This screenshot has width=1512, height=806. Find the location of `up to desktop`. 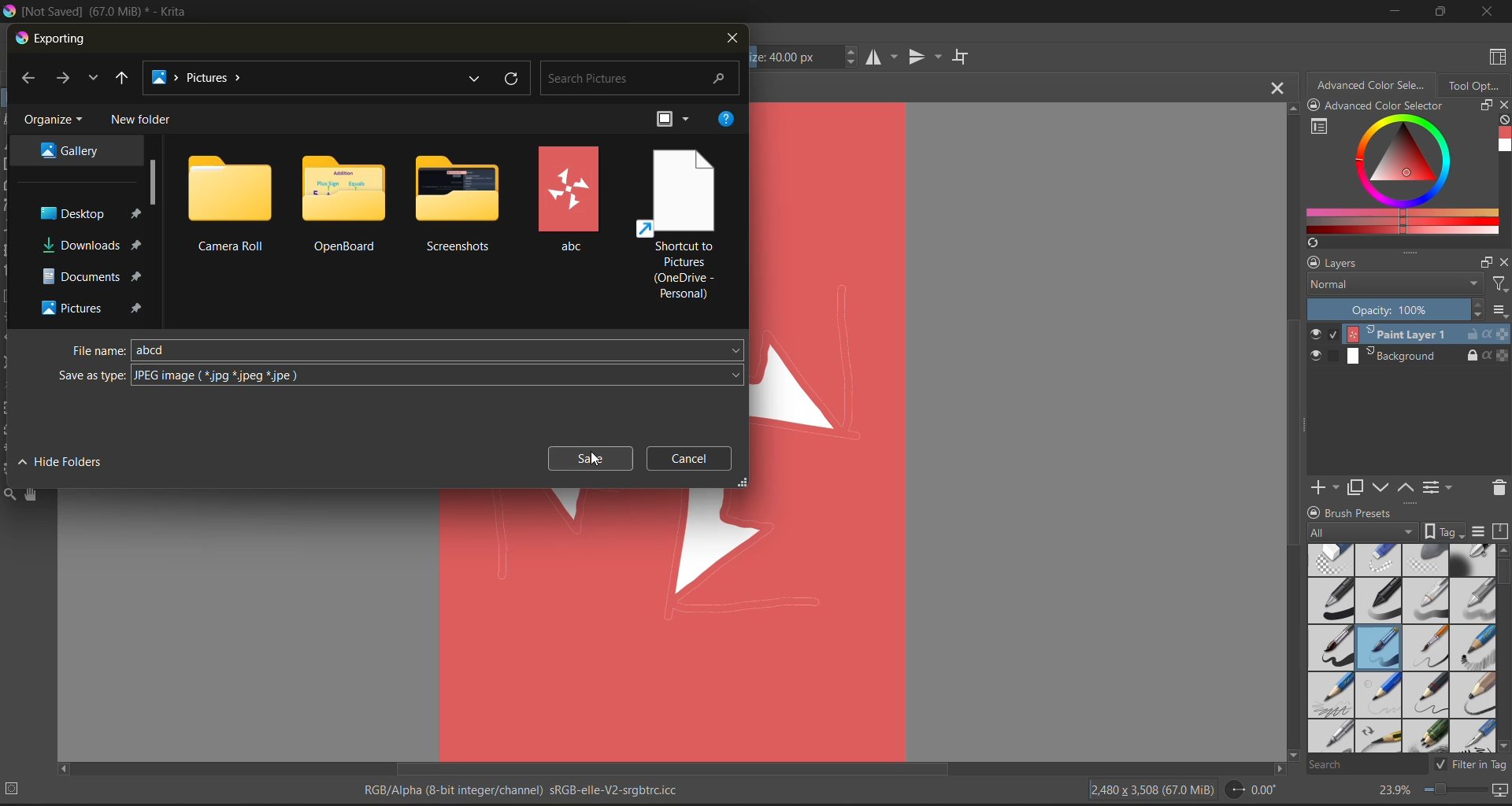

up to desktop is located at coordinates (124, 78).